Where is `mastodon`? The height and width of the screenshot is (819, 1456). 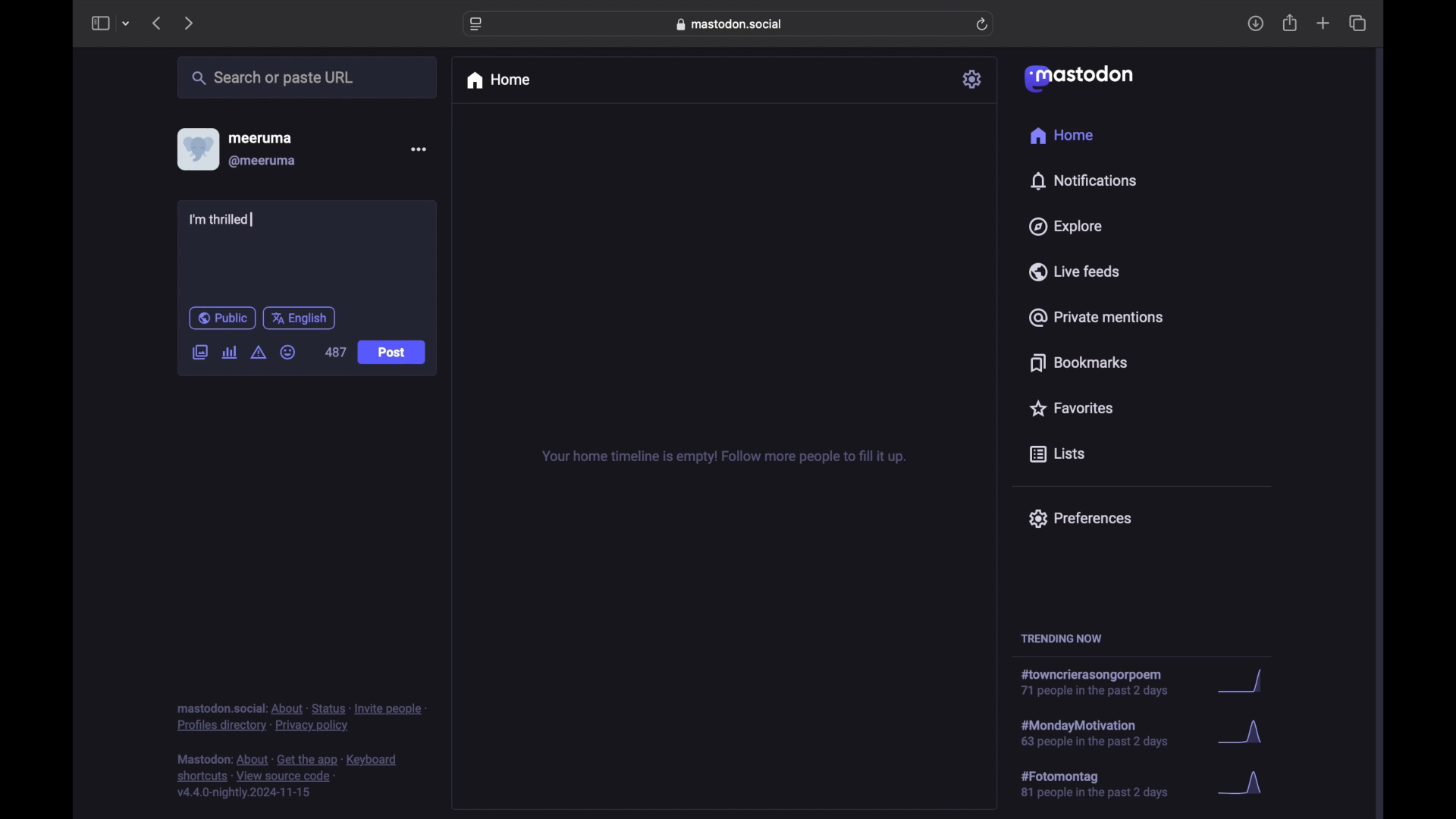 mastodon is located at coordinates (1079, 79).